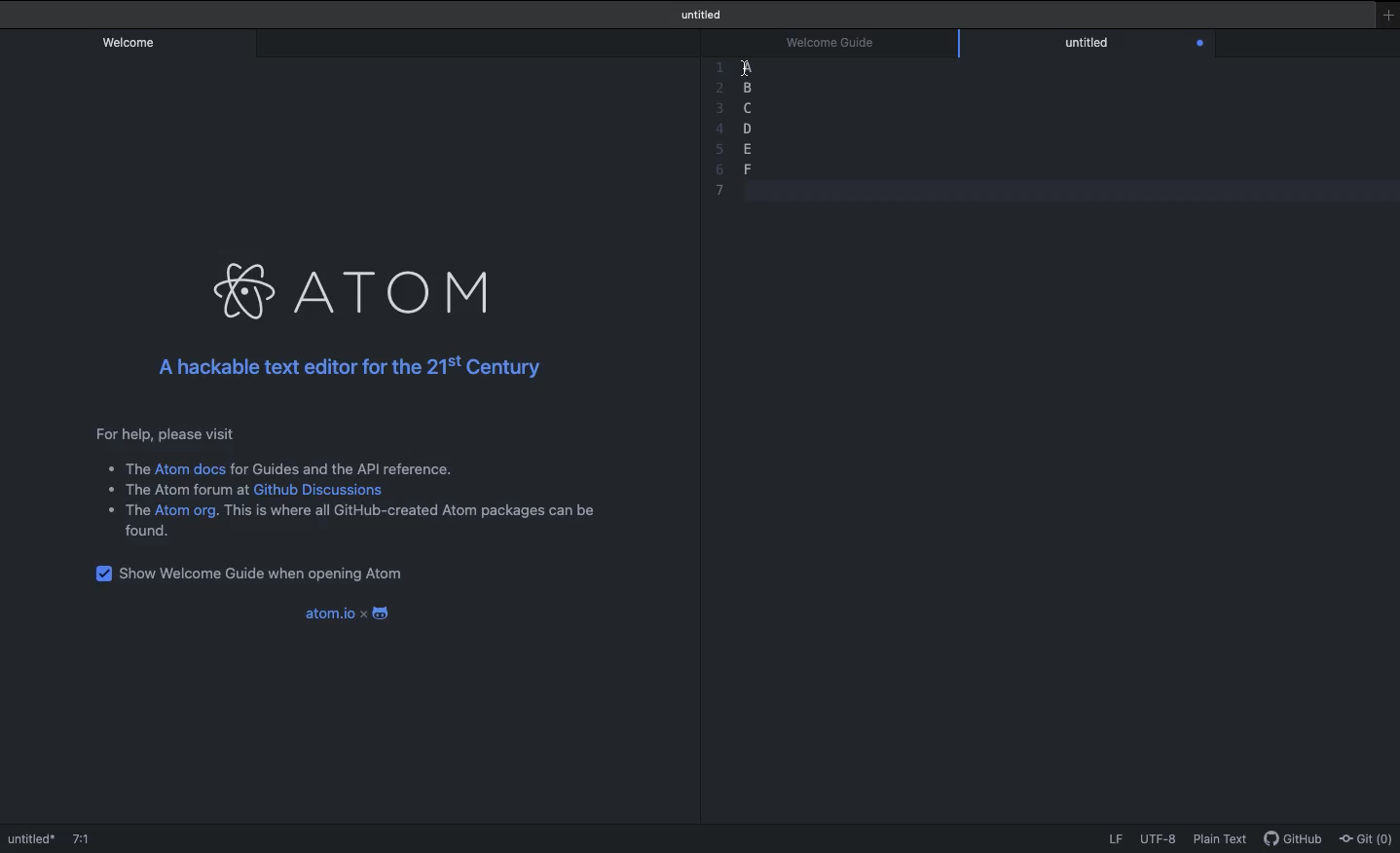  I want to click on d, so click(751, 129).